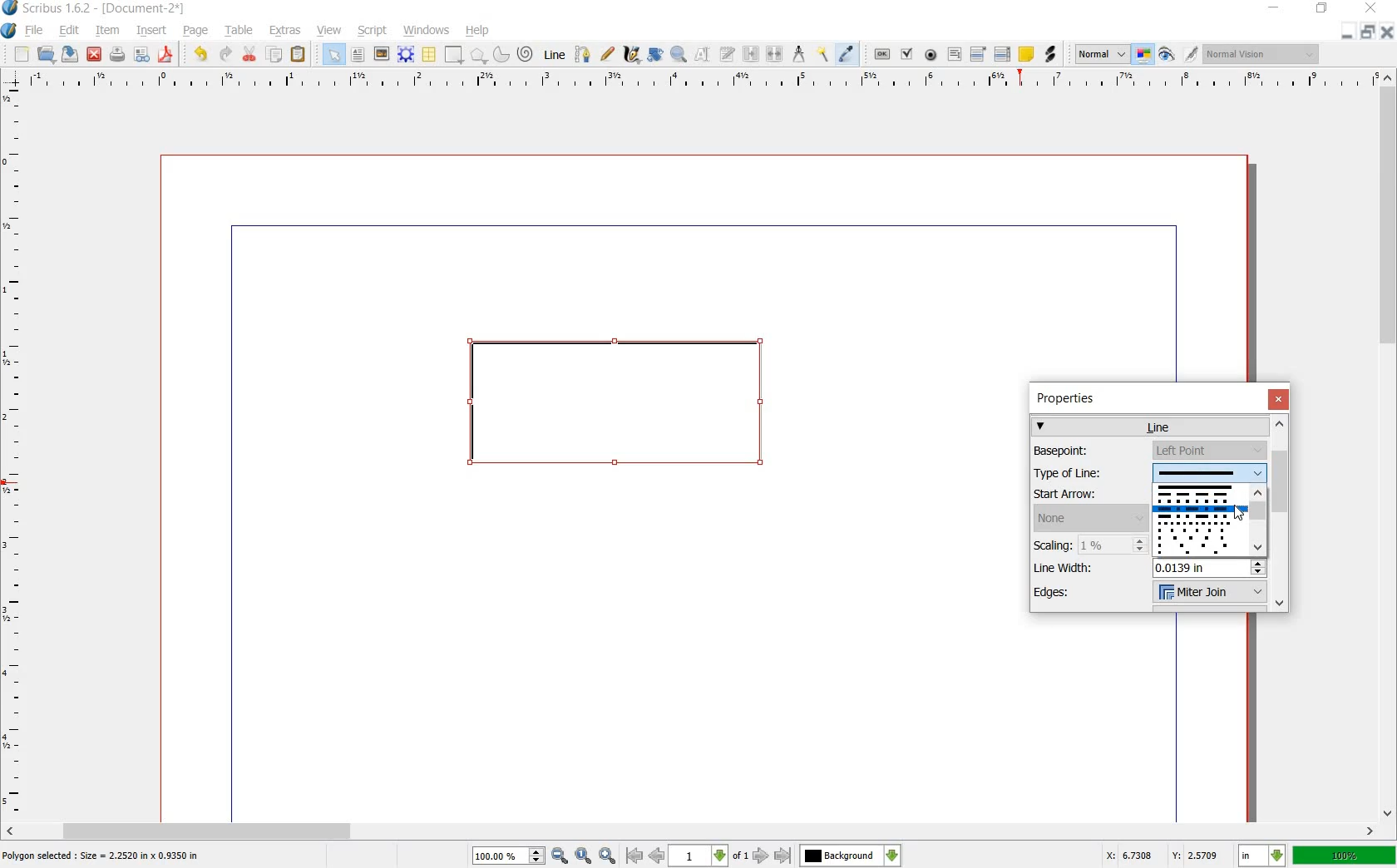  What do you see at coordinates (763, 856) in the screenshot?
I see `go to next page` at bounding box center [763, 856].